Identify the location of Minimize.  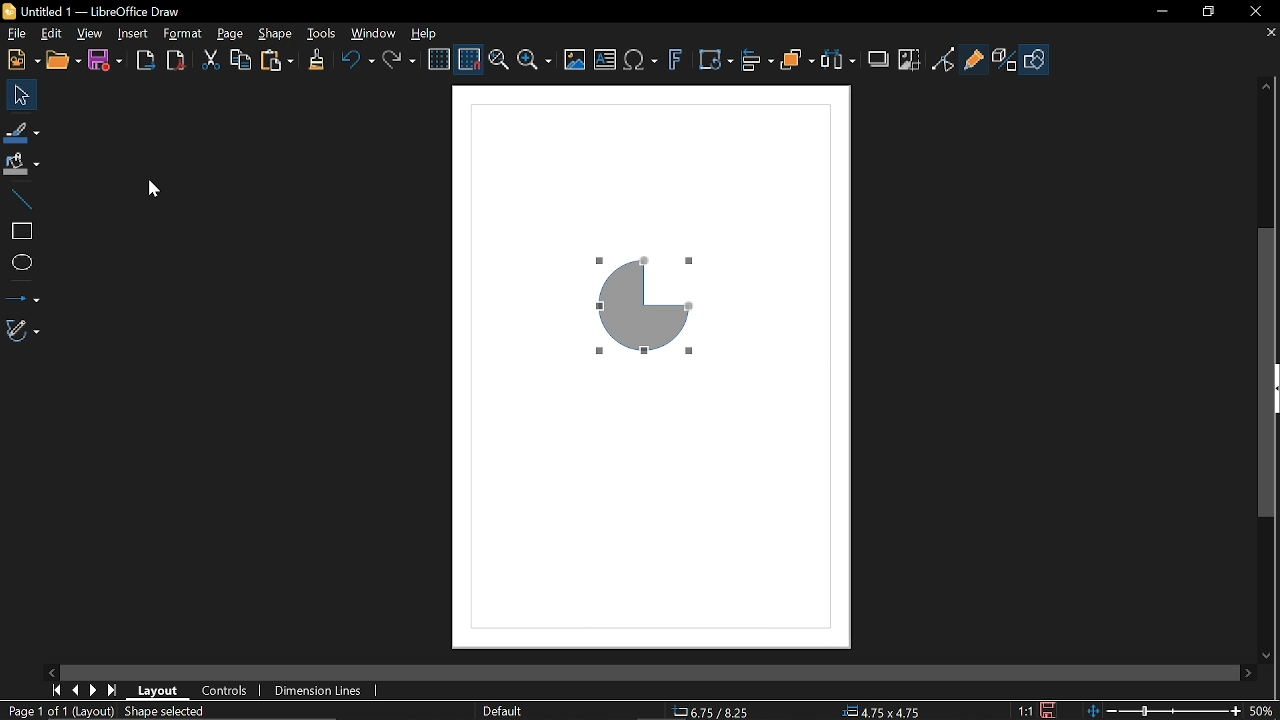
(1162, 13).